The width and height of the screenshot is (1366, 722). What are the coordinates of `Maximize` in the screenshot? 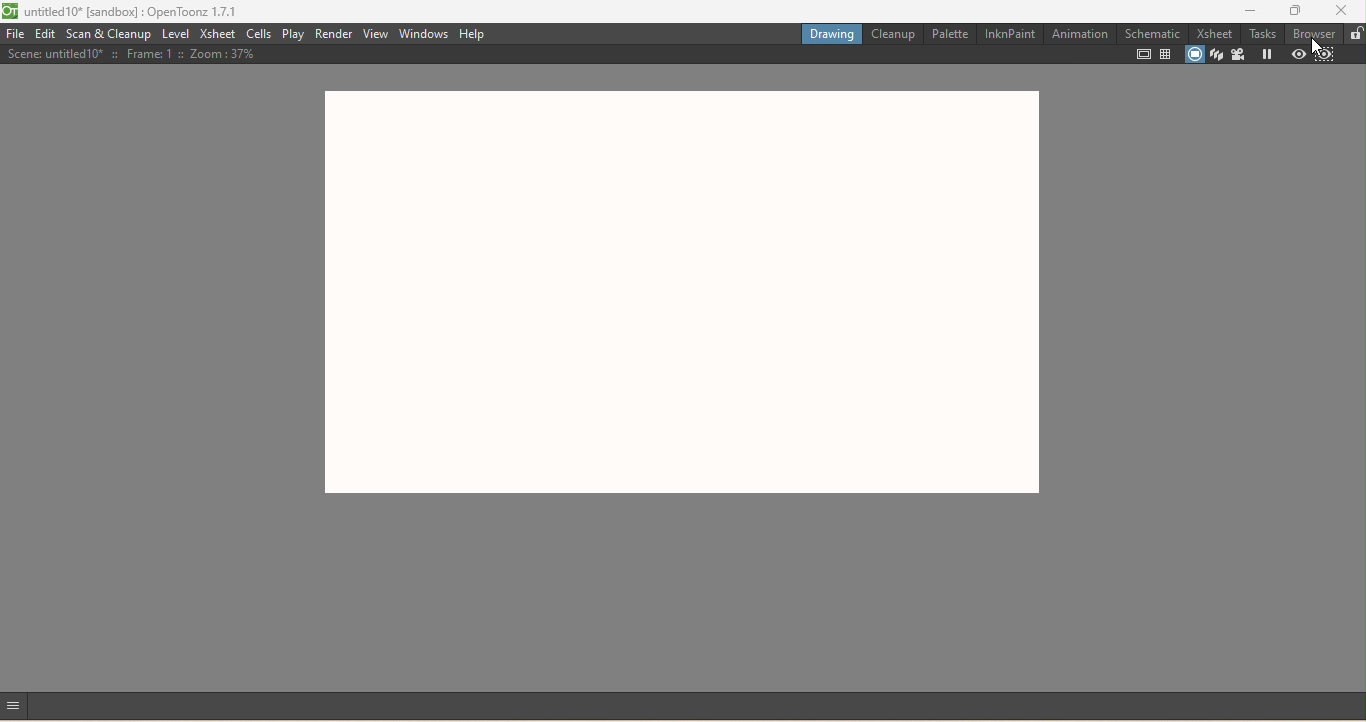 It's located at (1295, 10).